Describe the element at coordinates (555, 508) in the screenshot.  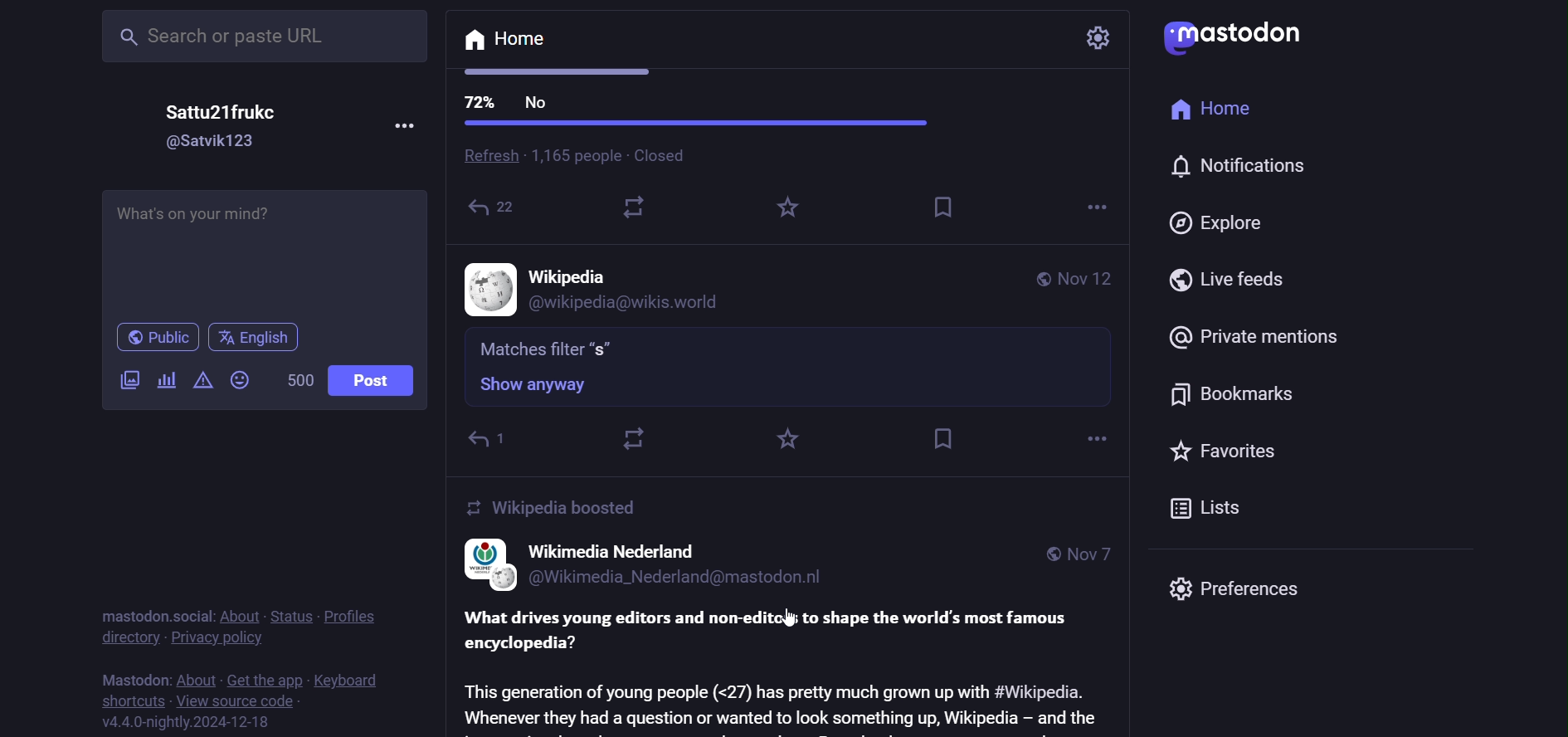
I see `Wikipedia boosted` at that location.